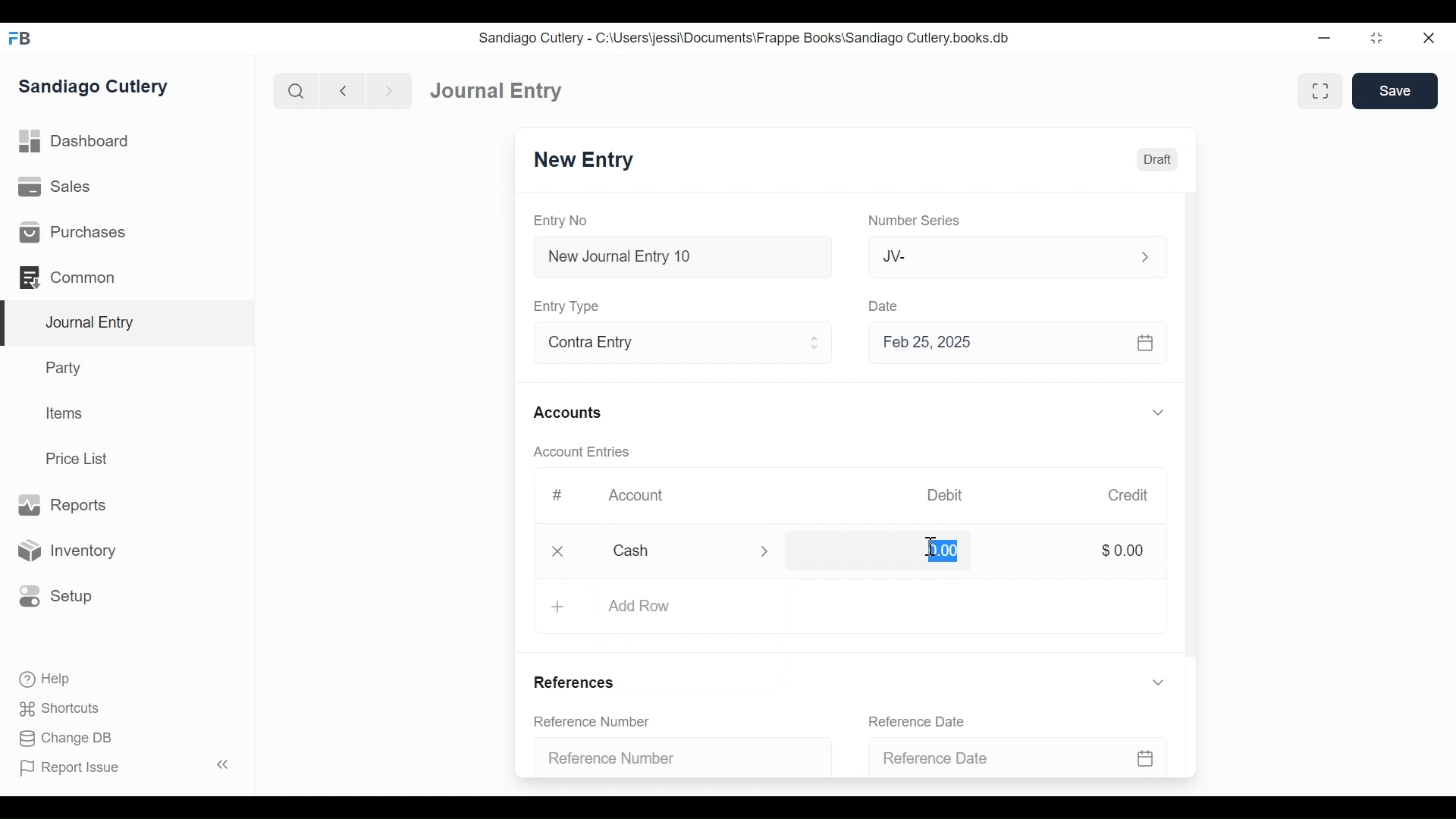 This screenshot has width=1456, height=819. I want to click on Date, so click(886, 306).